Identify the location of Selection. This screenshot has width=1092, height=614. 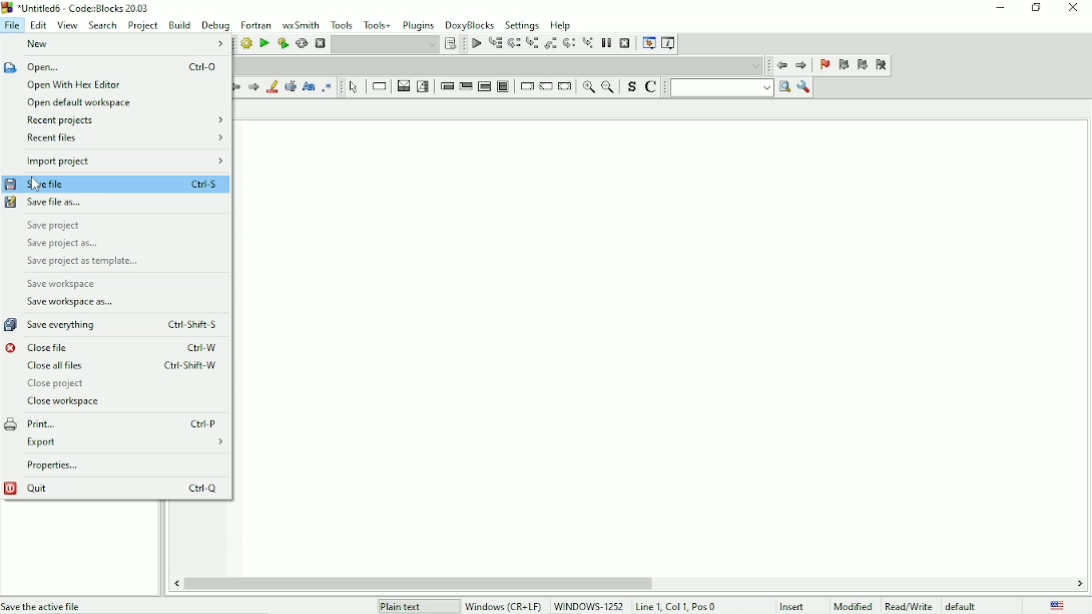
(424, 86).